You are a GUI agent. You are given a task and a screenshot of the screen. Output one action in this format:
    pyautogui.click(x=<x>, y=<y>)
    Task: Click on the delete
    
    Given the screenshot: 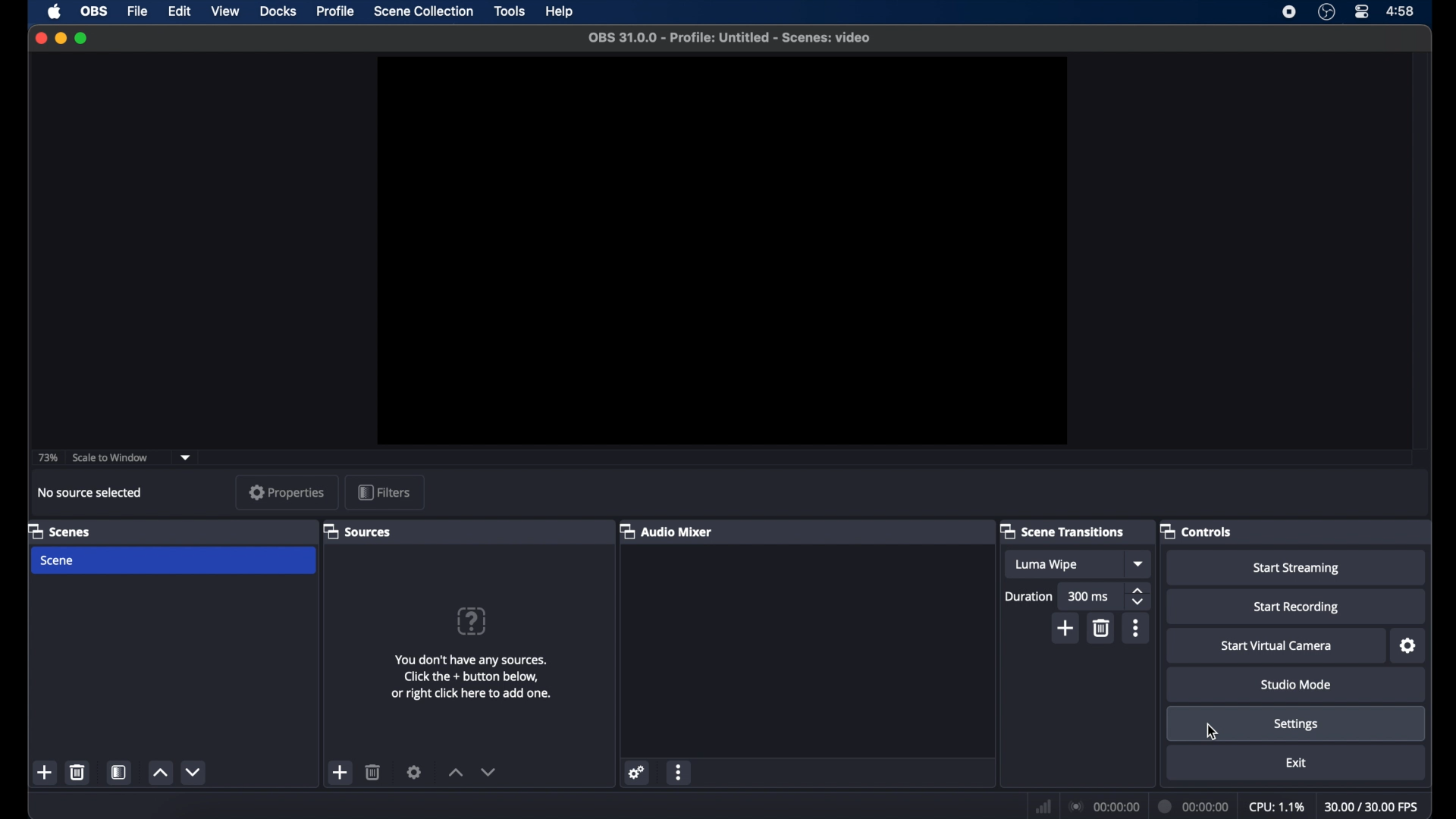 What is the action you would take?
    pyautogui.click(x=78, y=772)
    